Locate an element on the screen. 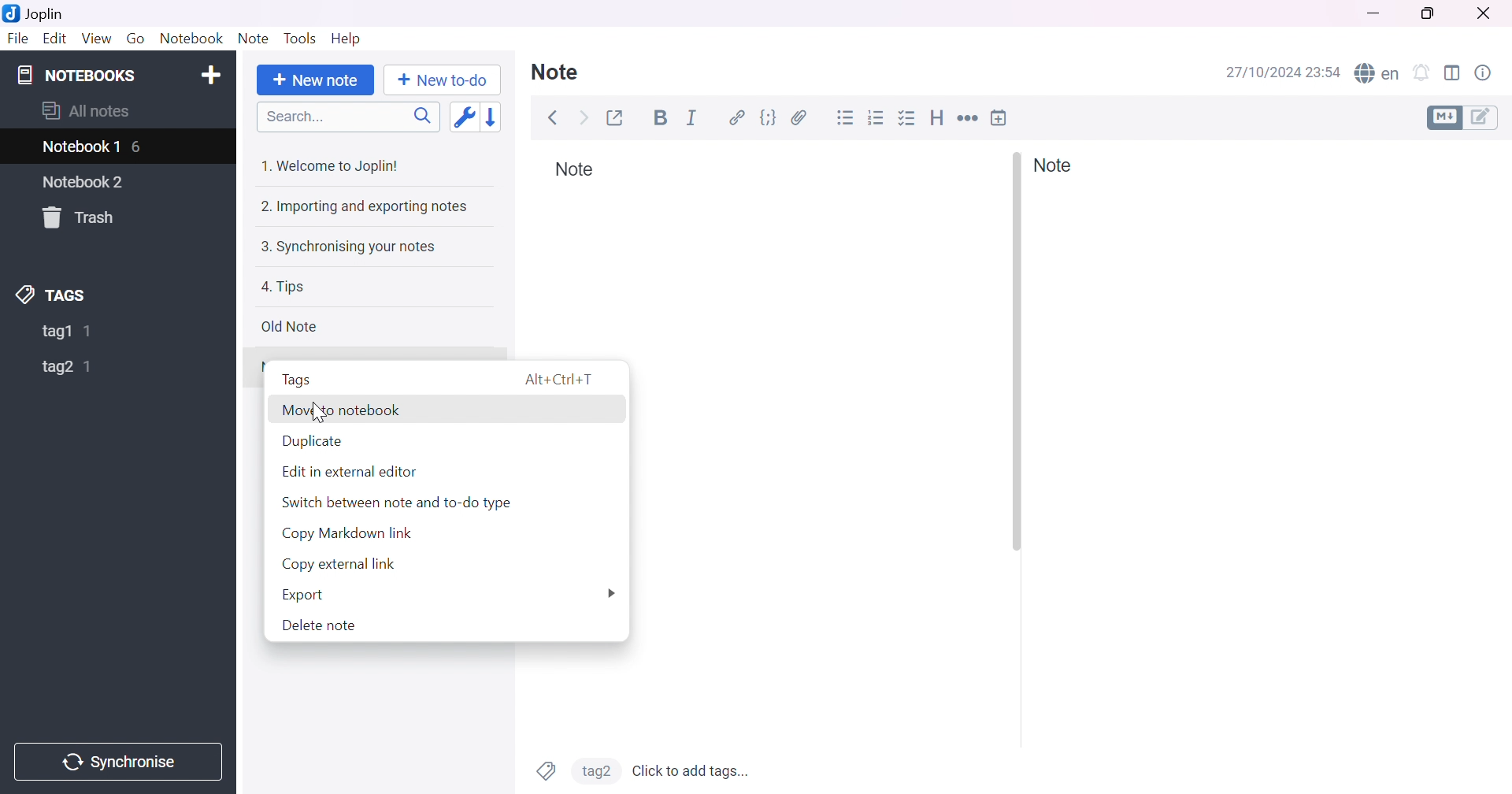 This screenshot has width=1512, height=794. Close is located at coordinates (1481, 12).